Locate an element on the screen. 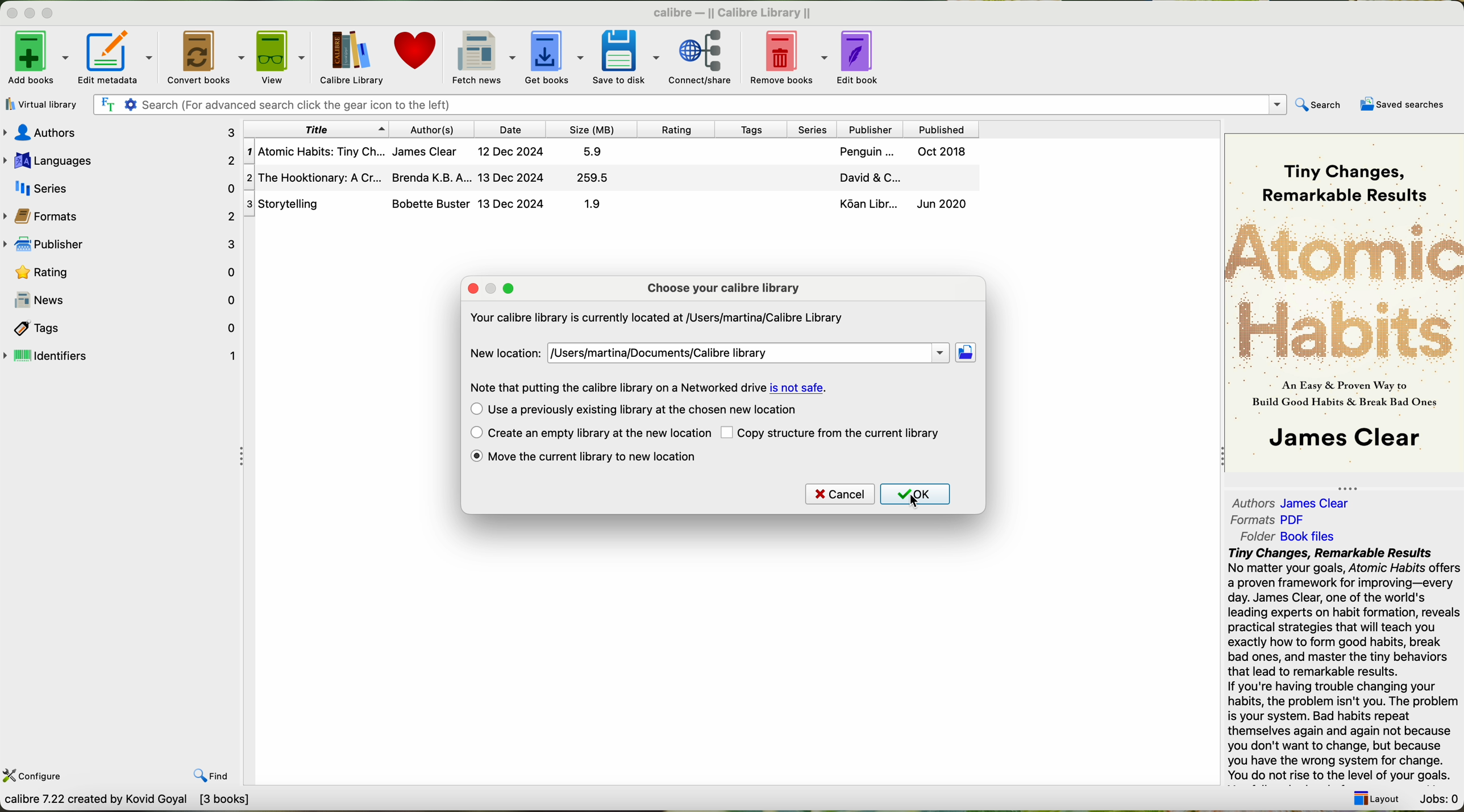 This screenshot has width=1464, height=812. series is located at coordinates (816, 129).